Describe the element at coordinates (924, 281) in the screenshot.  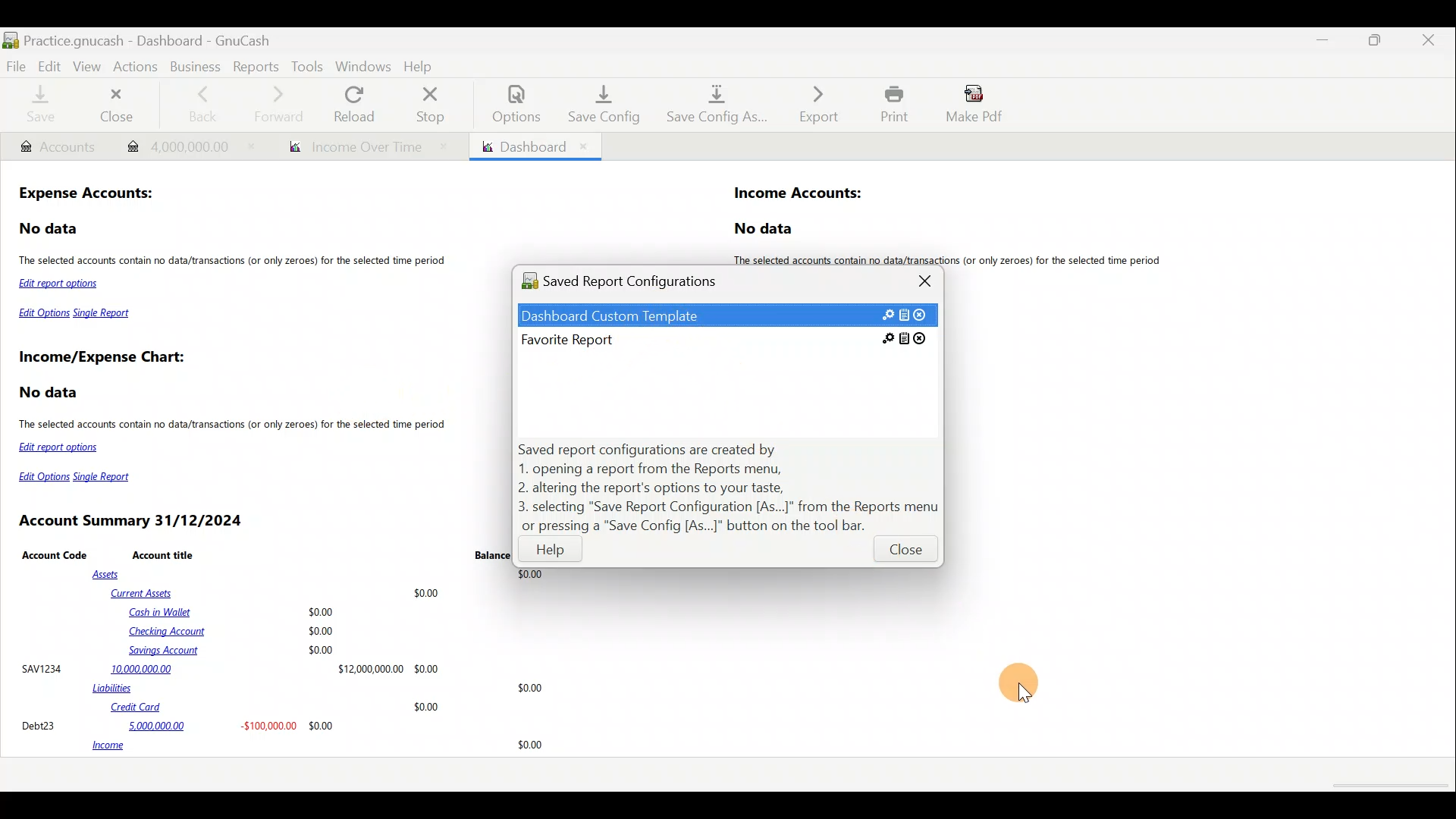
I see `Close` at that location.